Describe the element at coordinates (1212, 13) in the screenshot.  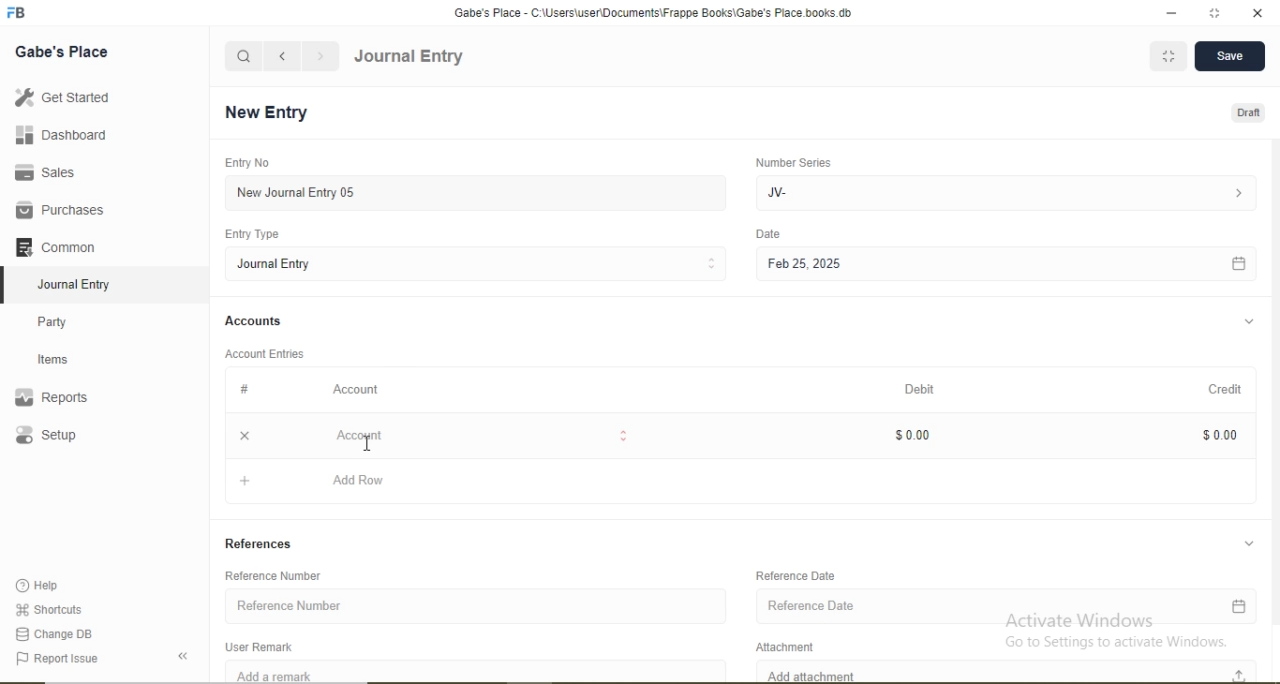
I see `resize` at that location.